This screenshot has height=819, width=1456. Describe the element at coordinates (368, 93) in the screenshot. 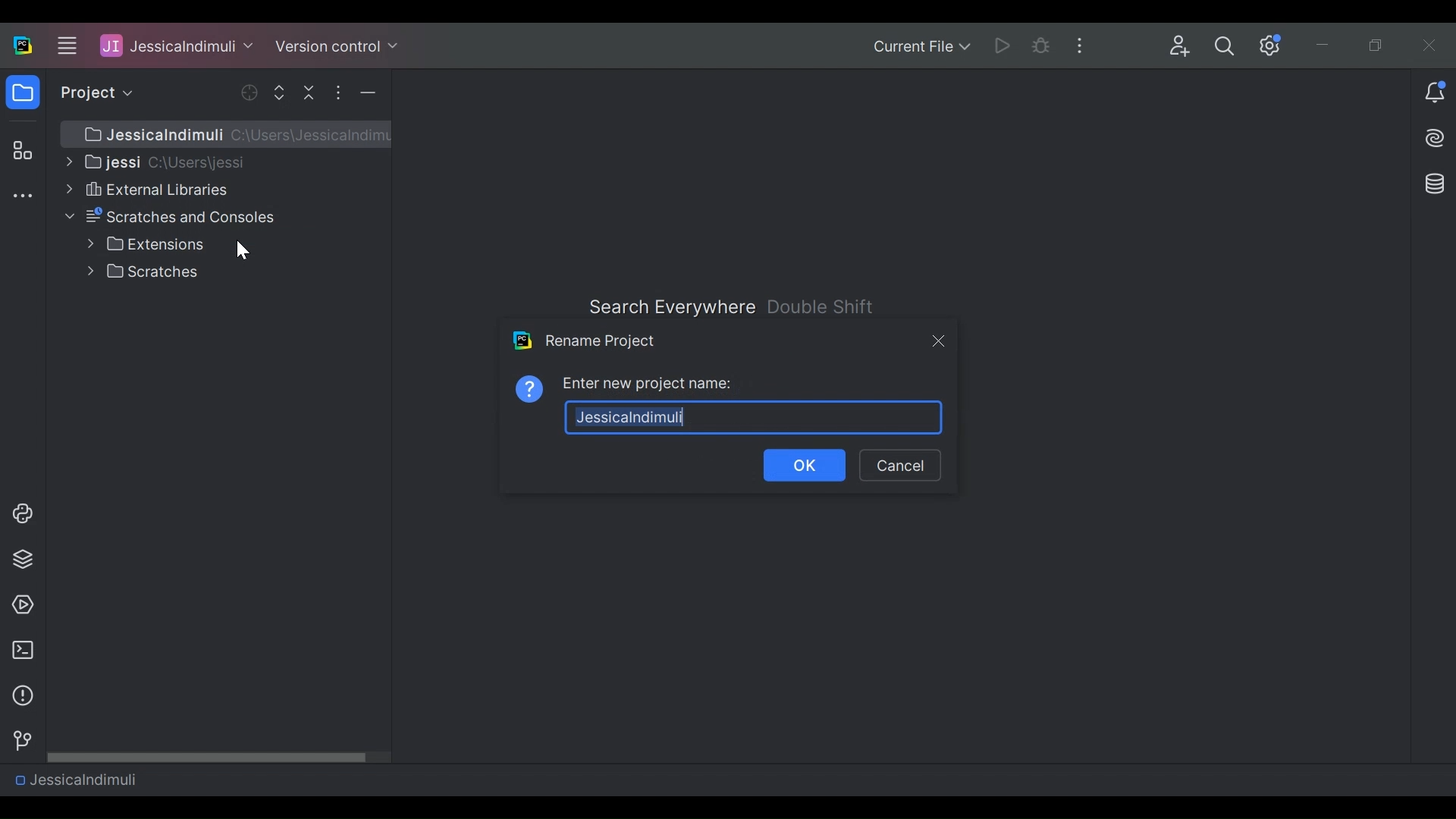

I see `Hide` at that location.